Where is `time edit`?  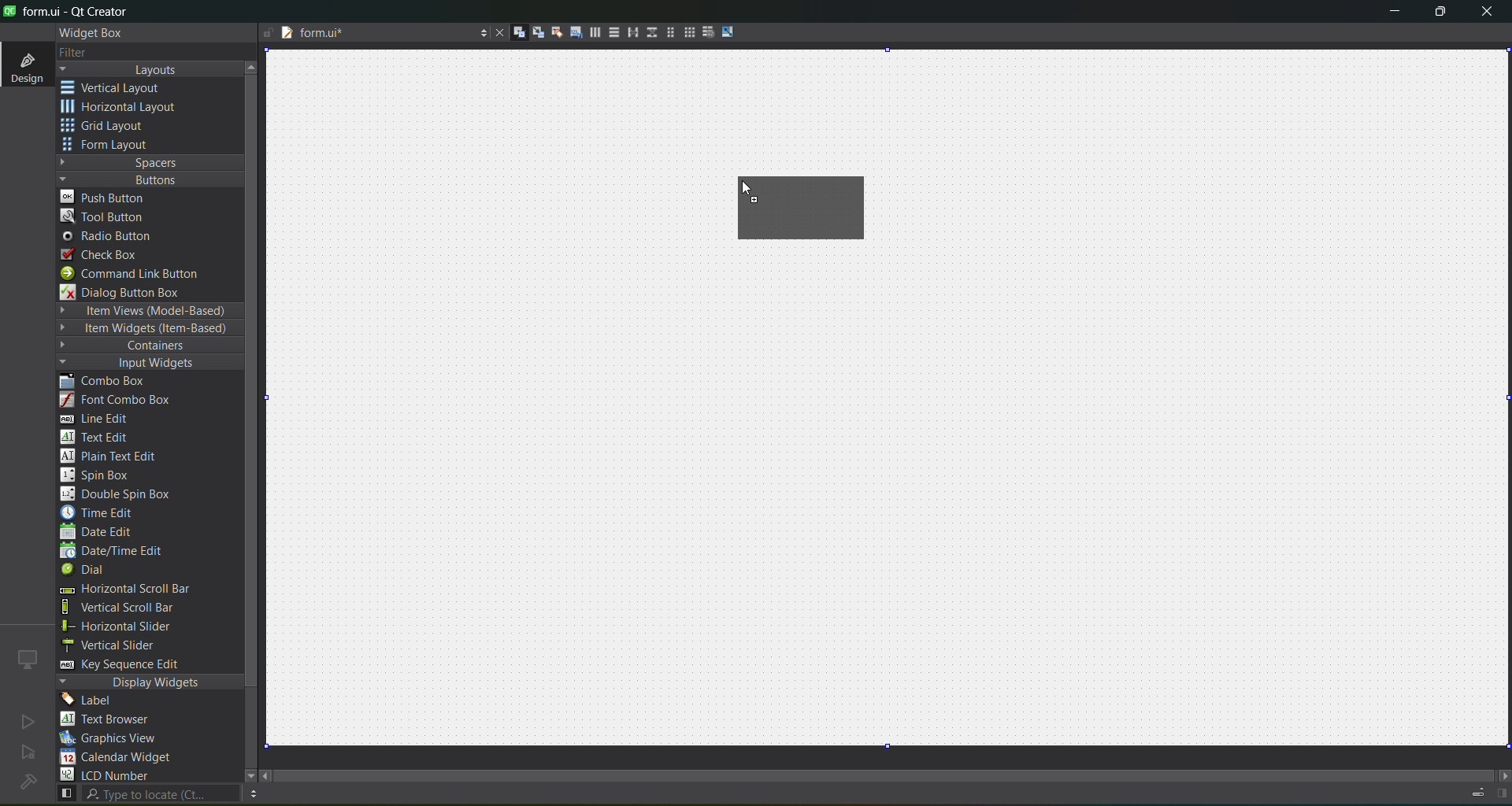
time edit is located at coordinates (102, 512).